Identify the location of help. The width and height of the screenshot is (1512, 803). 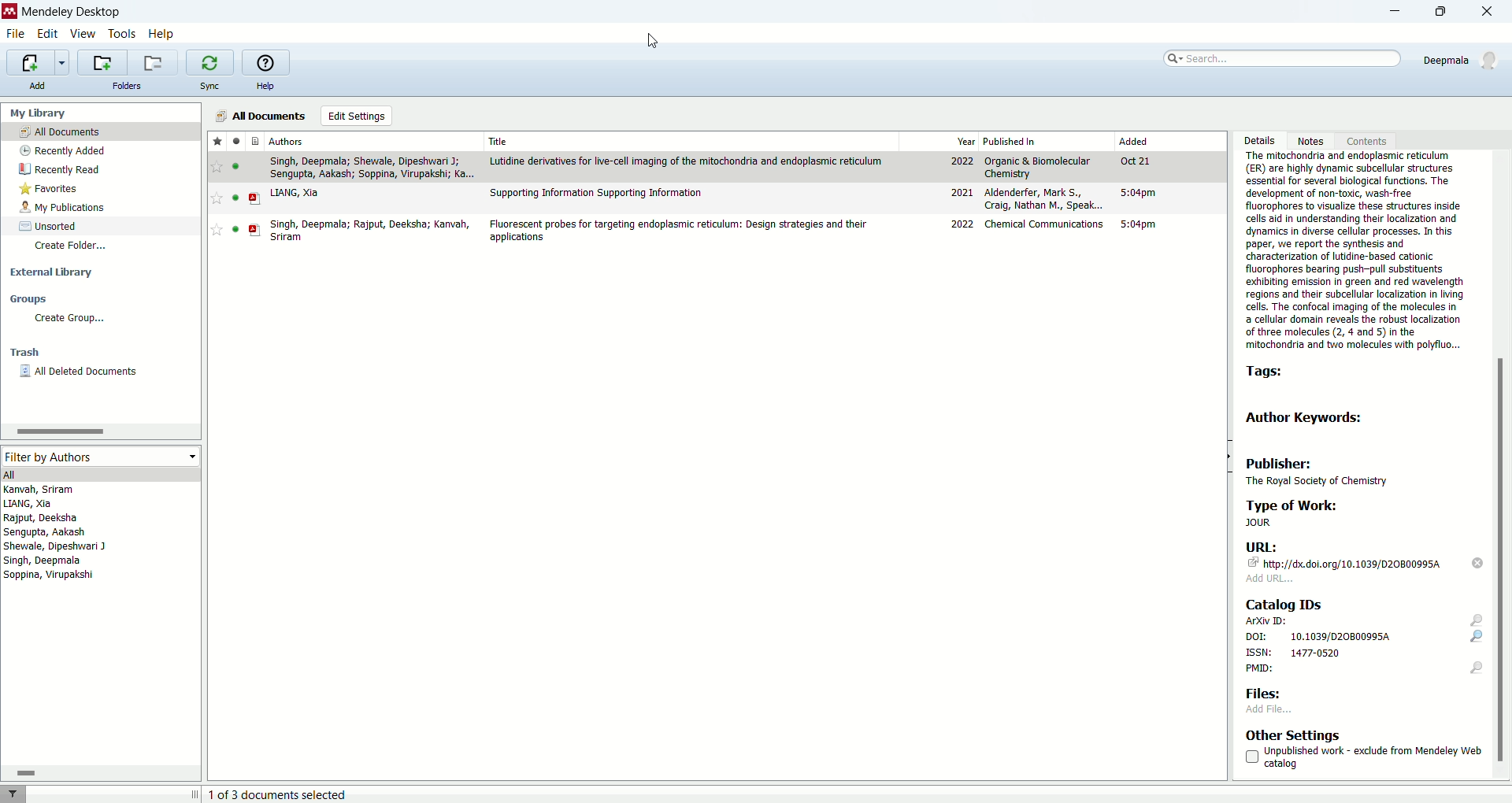
(161, 35).